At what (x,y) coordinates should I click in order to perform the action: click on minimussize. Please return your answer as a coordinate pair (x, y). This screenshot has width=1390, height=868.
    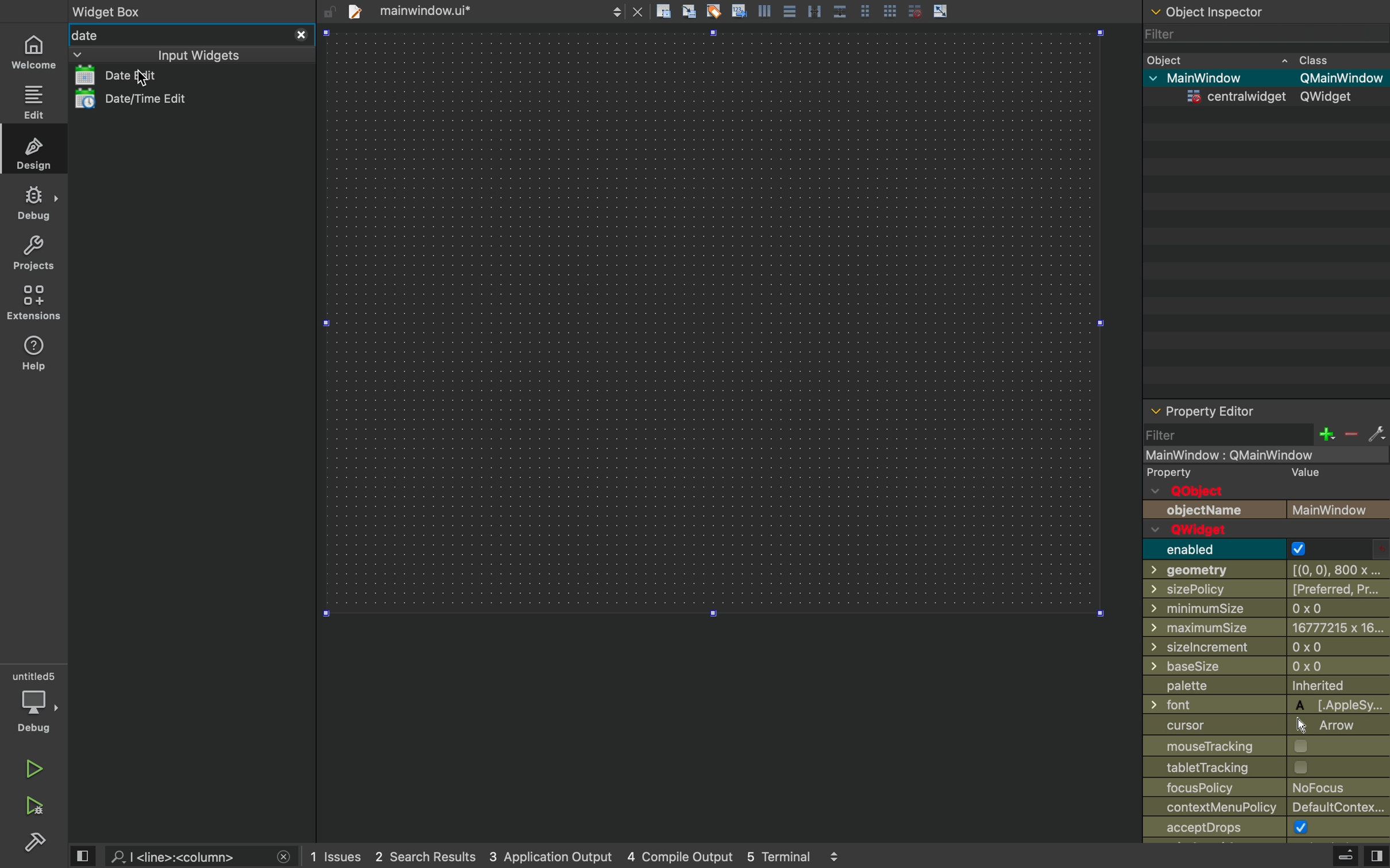
    Looking at the image, I should click on (1261, 610).